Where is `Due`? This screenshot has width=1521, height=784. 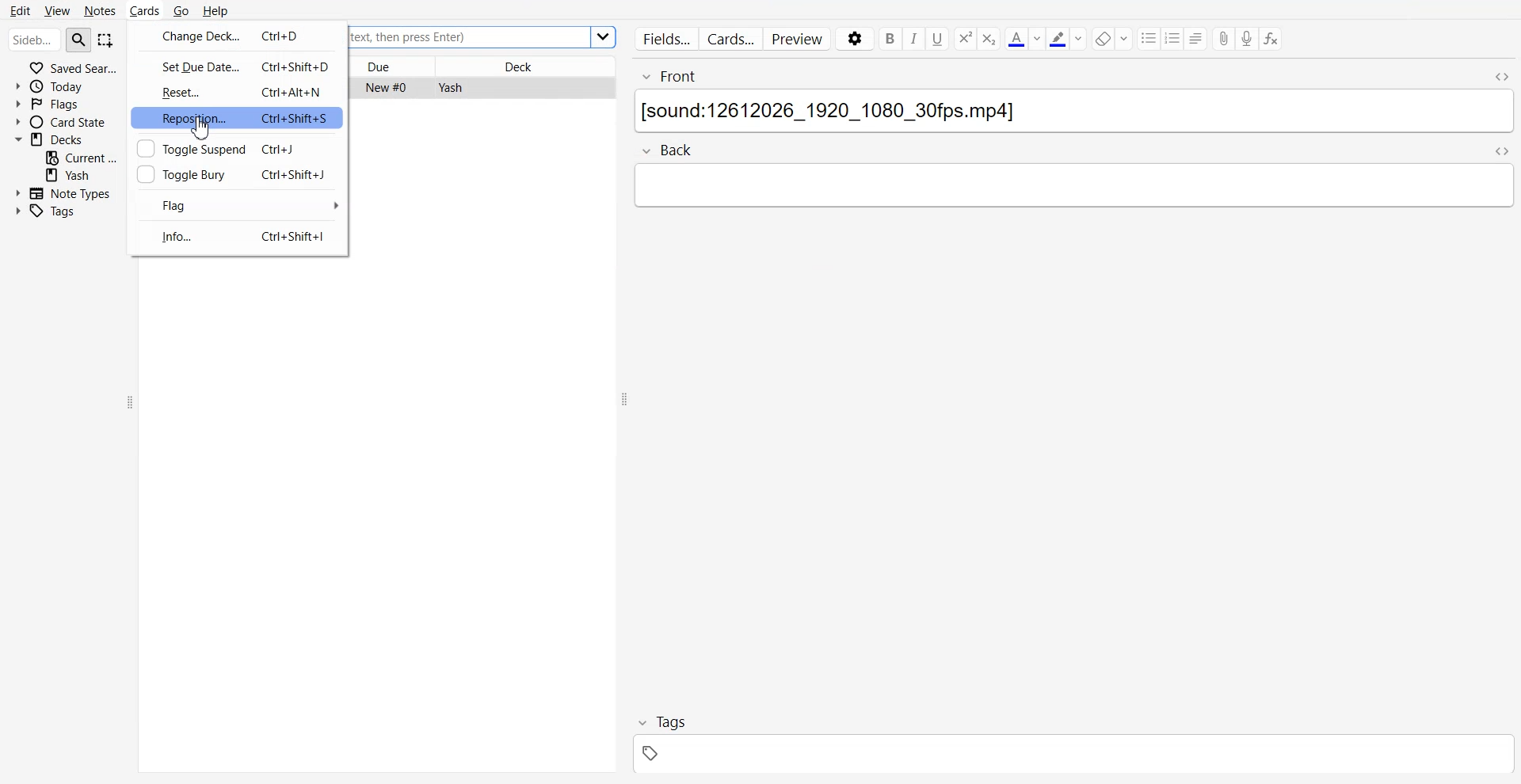
Due is located at coordinates (395, 66).